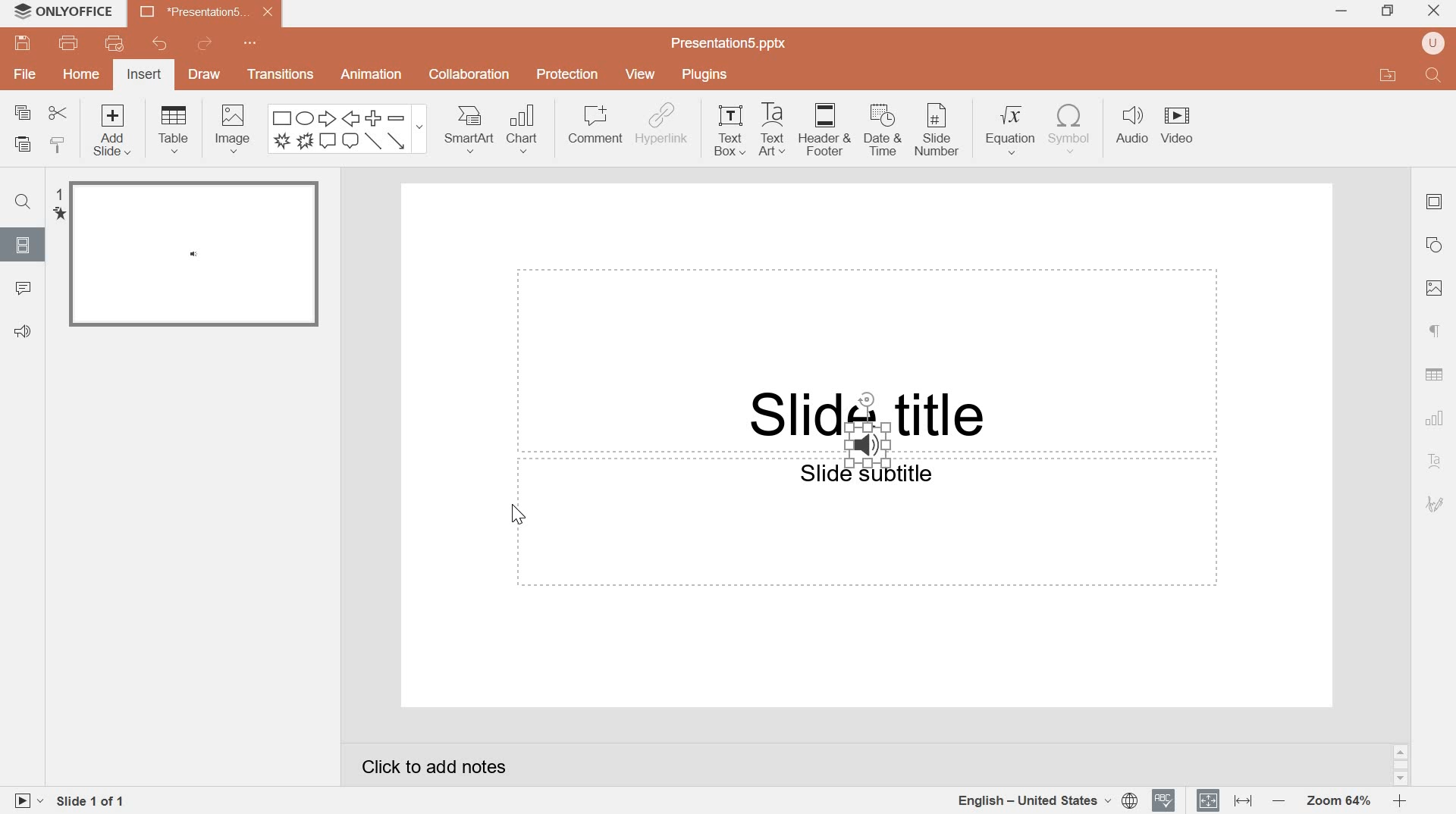 Image resolution: width=1456 pixels, height=814 pixels. I want to click on paste, so click(23, 145).